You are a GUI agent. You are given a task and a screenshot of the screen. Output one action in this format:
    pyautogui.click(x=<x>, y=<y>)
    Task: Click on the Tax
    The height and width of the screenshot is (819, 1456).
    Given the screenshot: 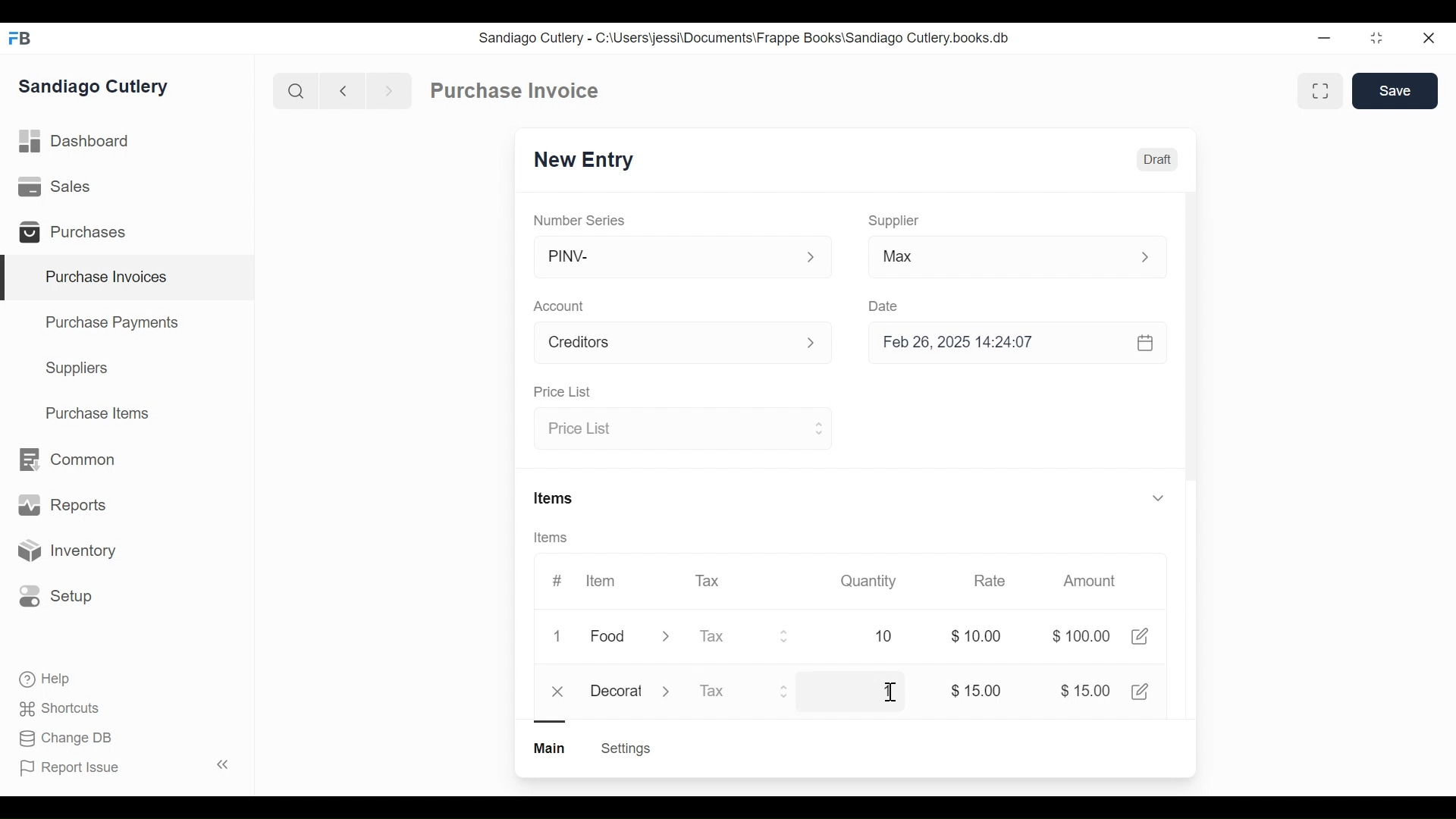 What is the action you would take?
    pyautogui.click(x=728, y=692)
    